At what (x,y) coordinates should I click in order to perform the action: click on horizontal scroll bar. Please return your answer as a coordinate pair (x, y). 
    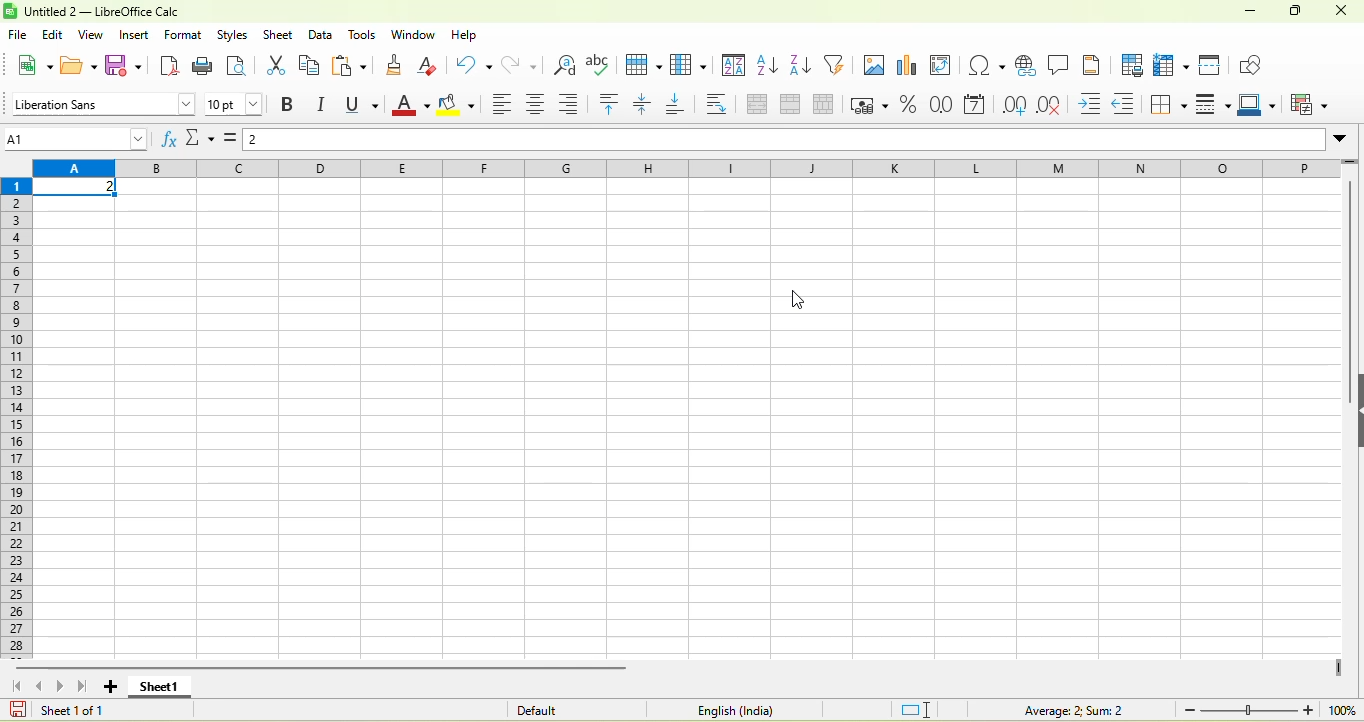
    Looking at the image, I should click on (324, 667).